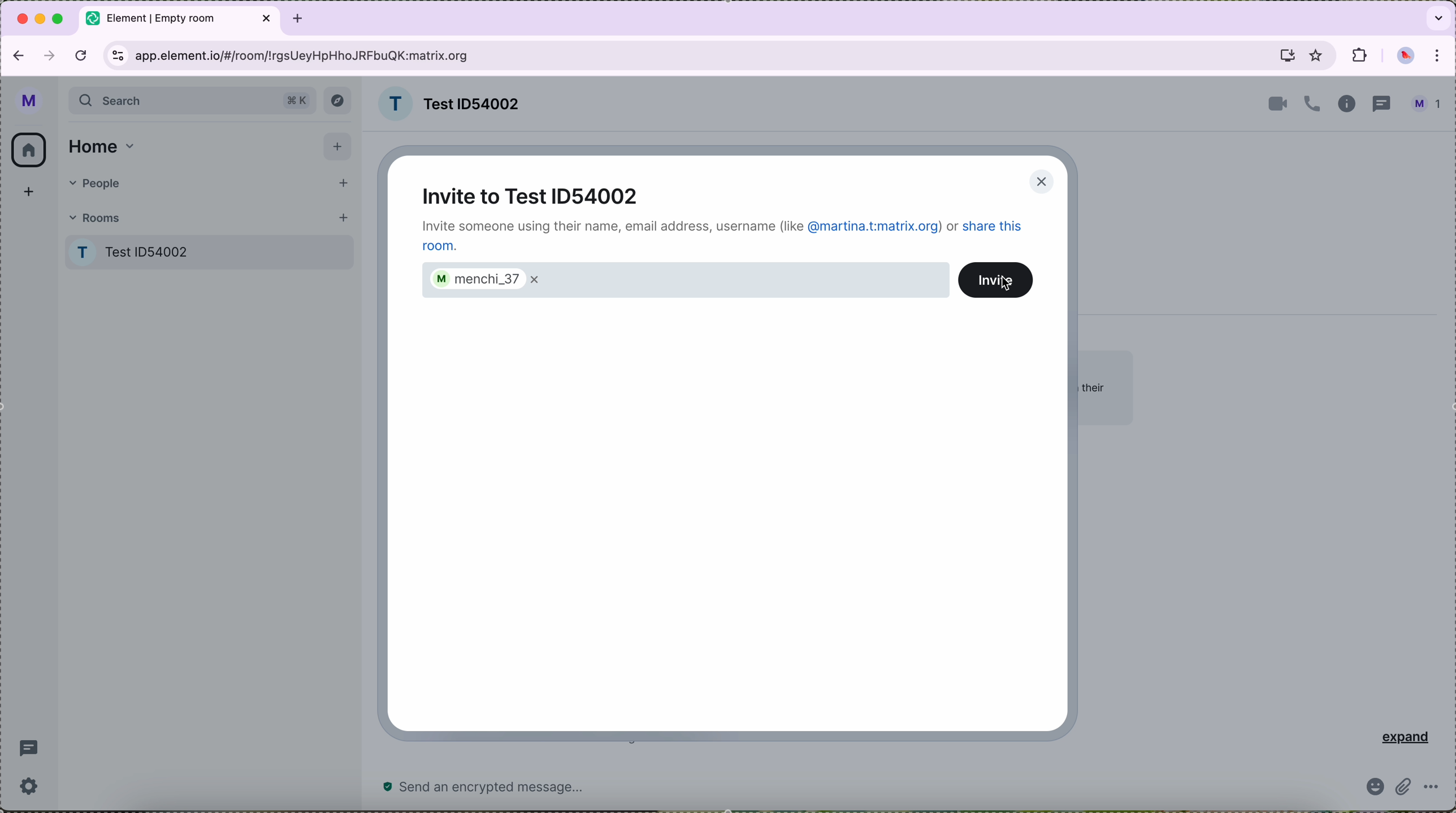 This screenshot has width=1456, height=813. What do you see at coordinates (447, 103) in the screenshot?
I see `room name` at bounding box center [447, 103].